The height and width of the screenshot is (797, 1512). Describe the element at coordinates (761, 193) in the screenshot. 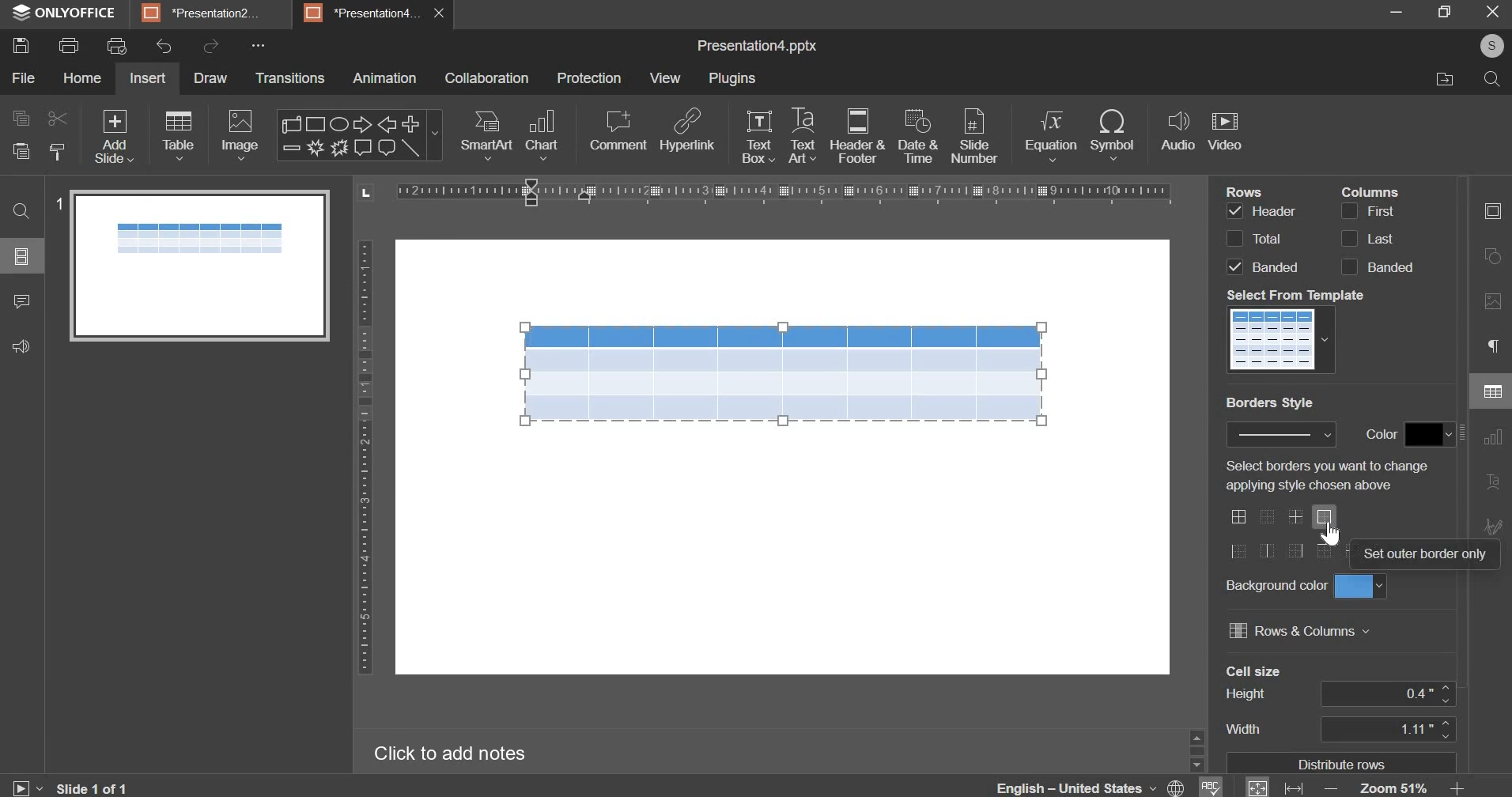

I see `vertical scale` at that location.